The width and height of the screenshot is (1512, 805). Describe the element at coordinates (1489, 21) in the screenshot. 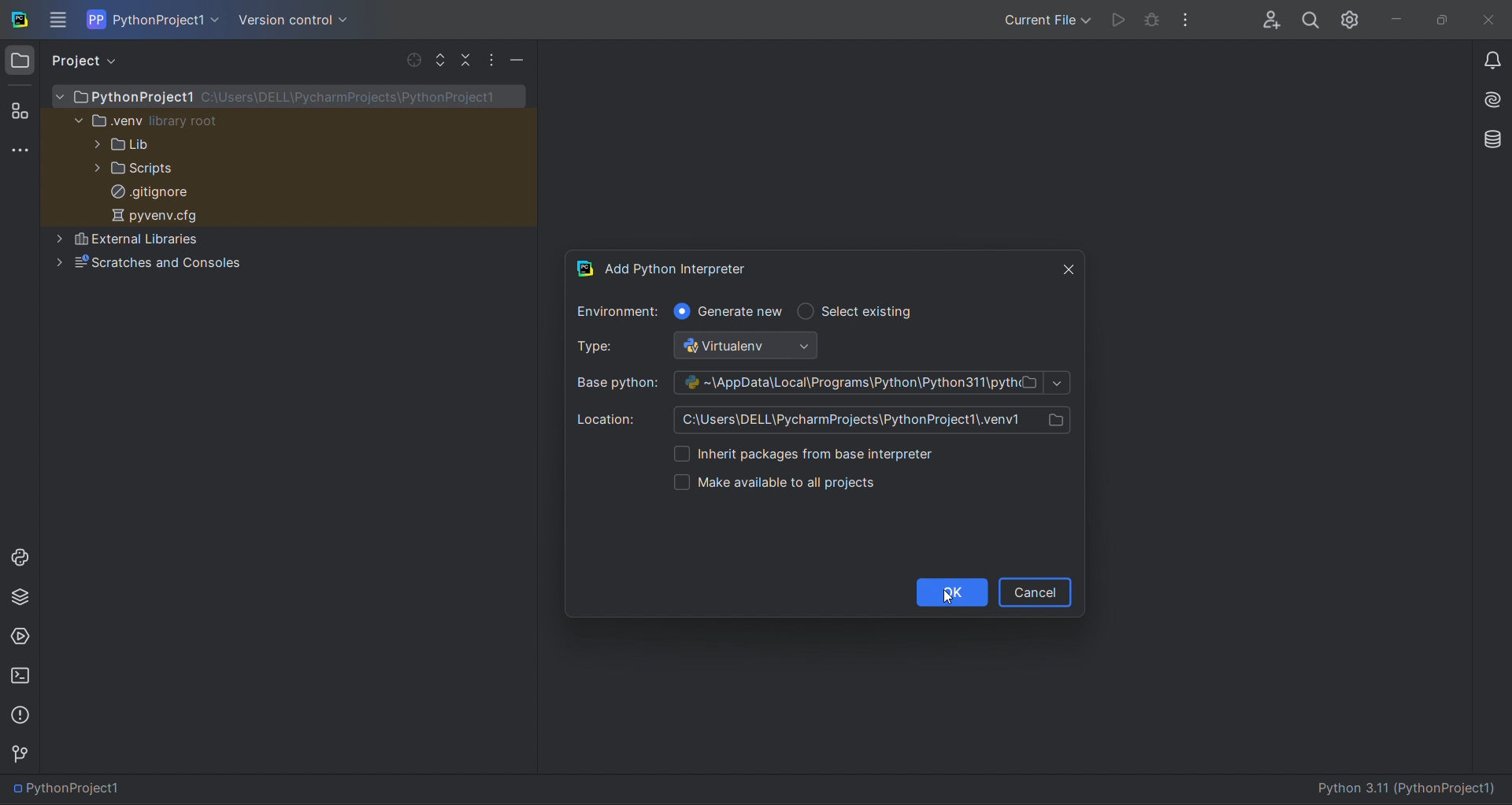

I see `close` at that location.